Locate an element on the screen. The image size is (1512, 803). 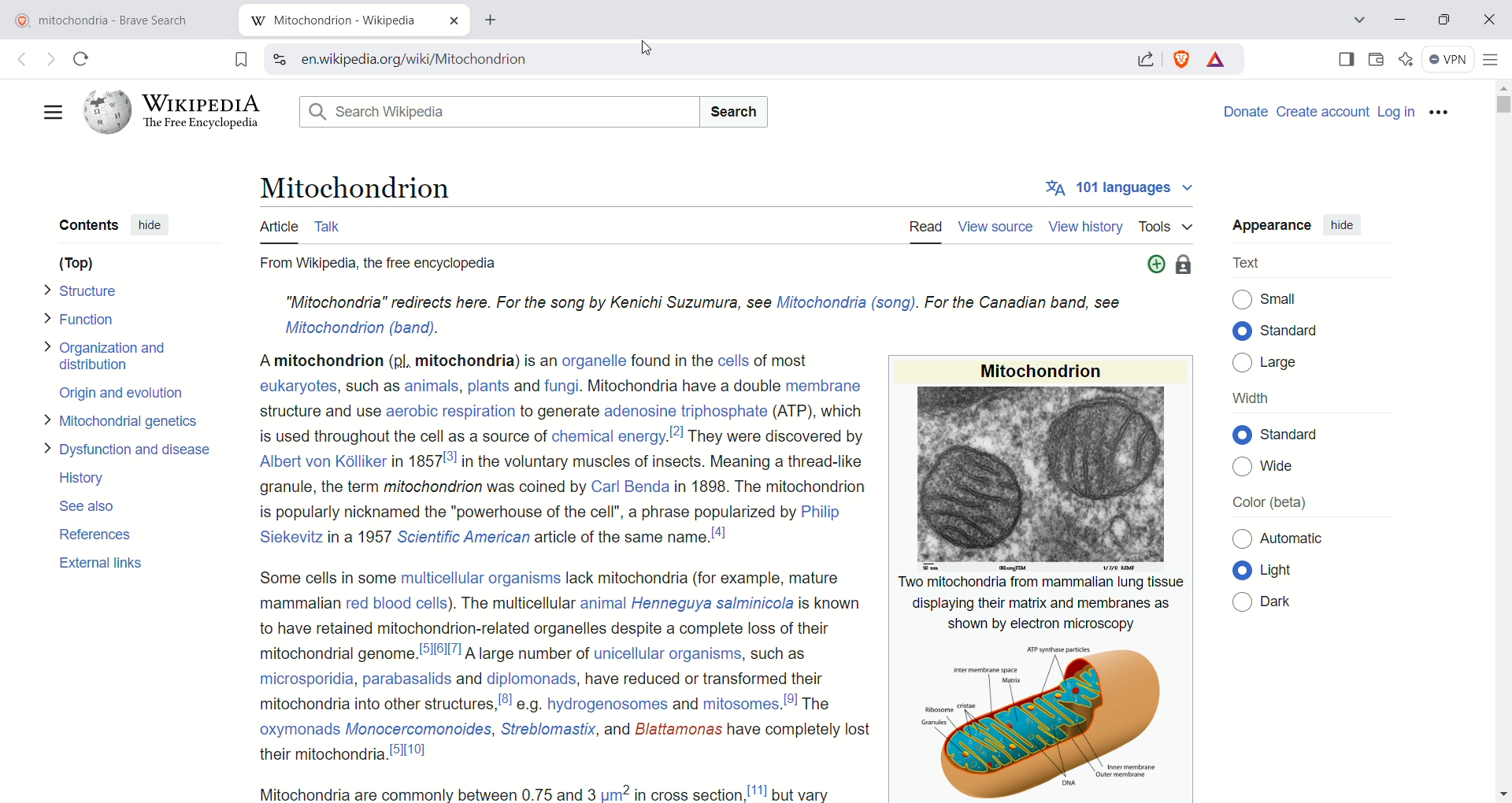
bookmark is located at coordinates (237, 59).